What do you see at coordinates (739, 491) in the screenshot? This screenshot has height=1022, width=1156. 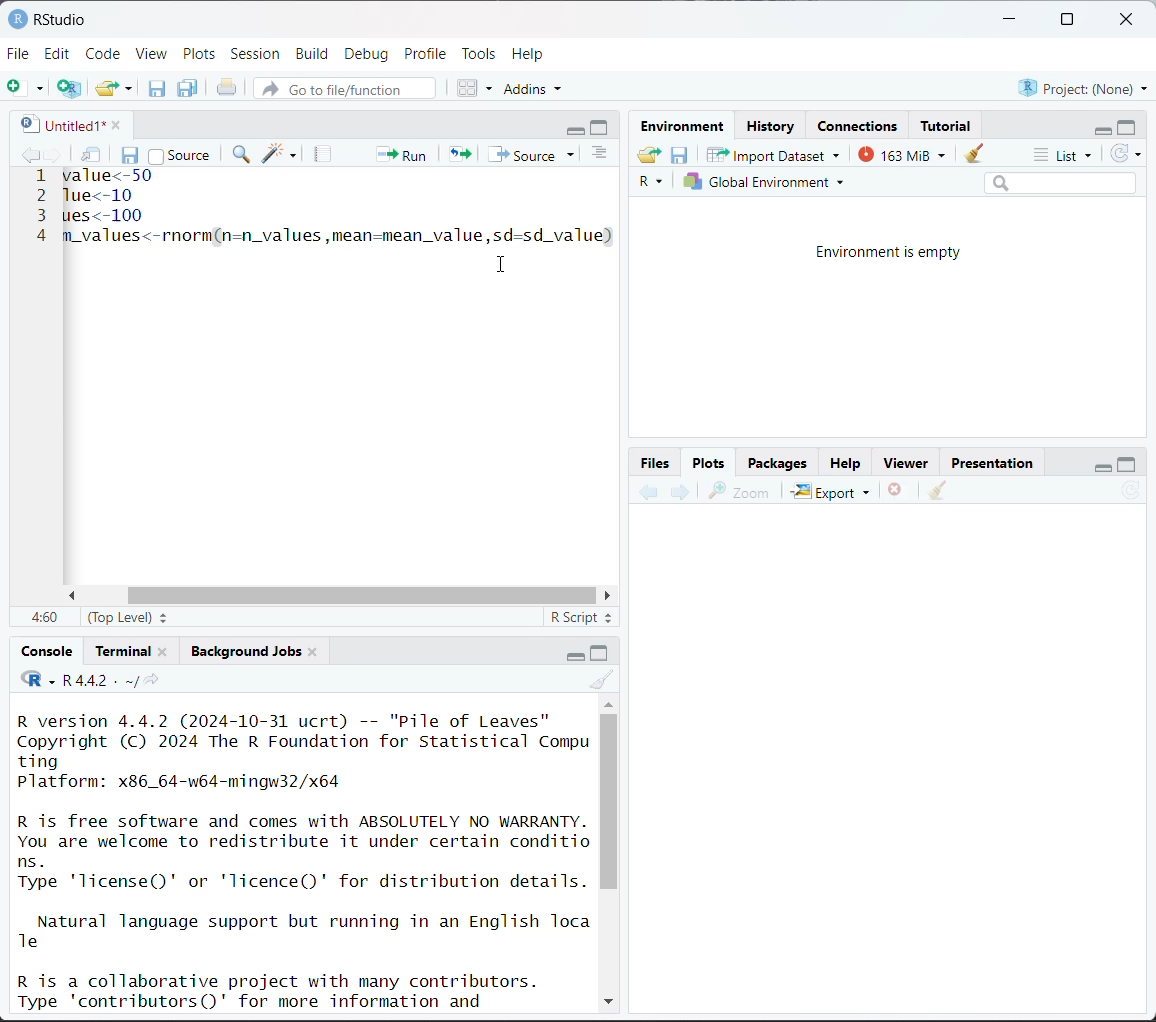 I see `zoom` at bounding box center [739, 491].